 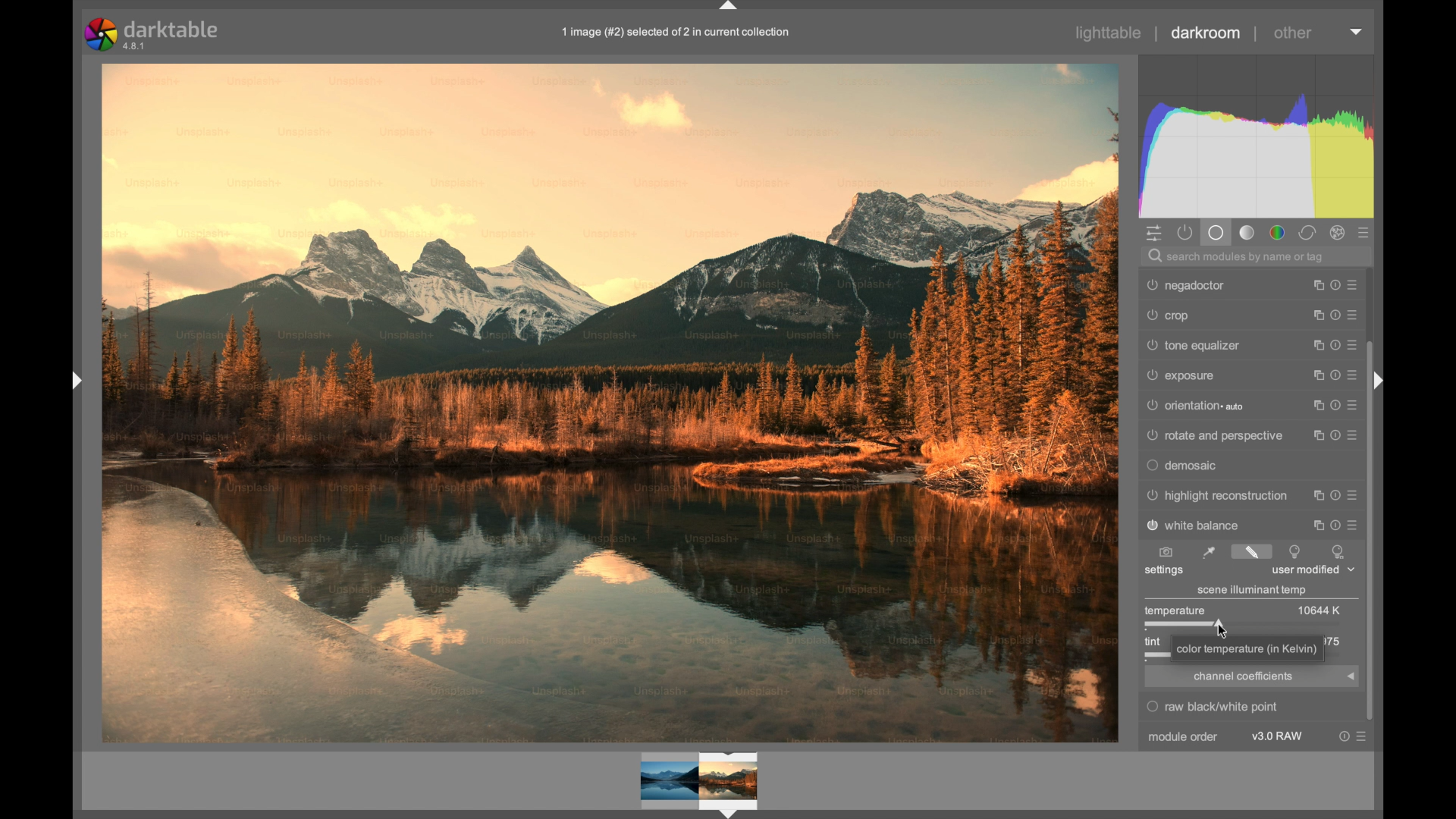 I want to click on negadoctor, so click(x=1184, y=284).